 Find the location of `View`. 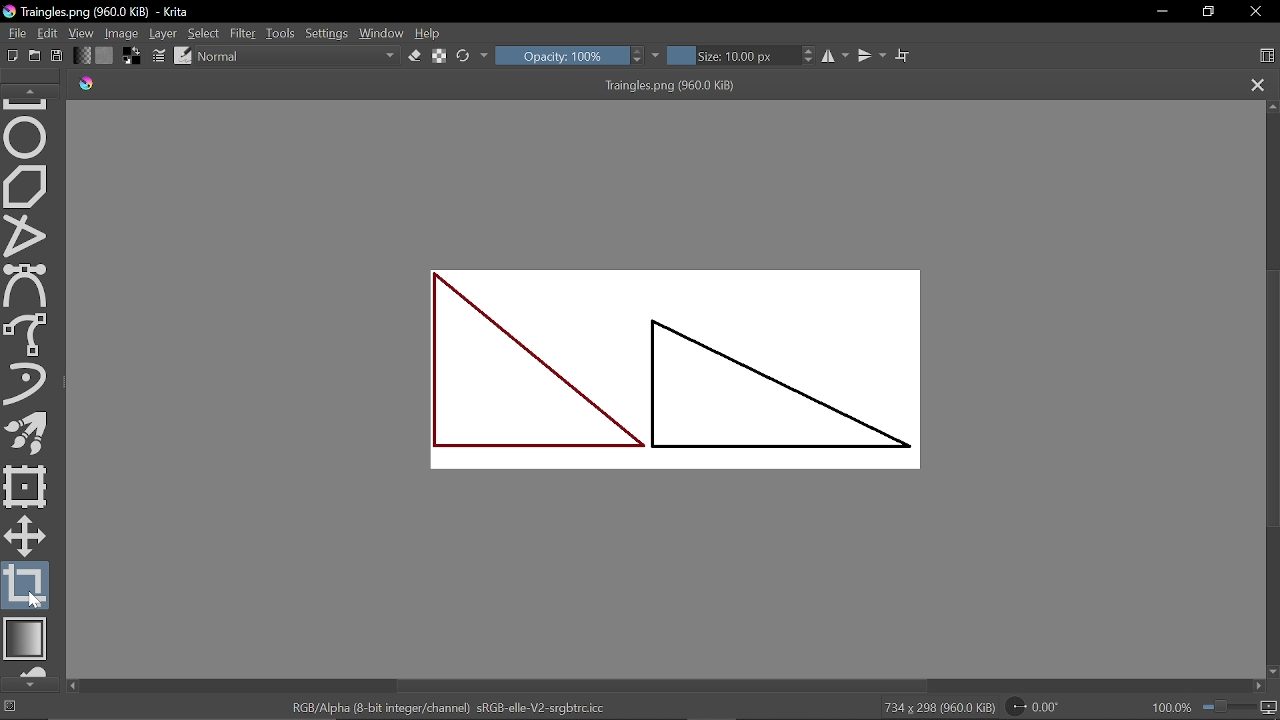

View is located at coordinates (82, 33).